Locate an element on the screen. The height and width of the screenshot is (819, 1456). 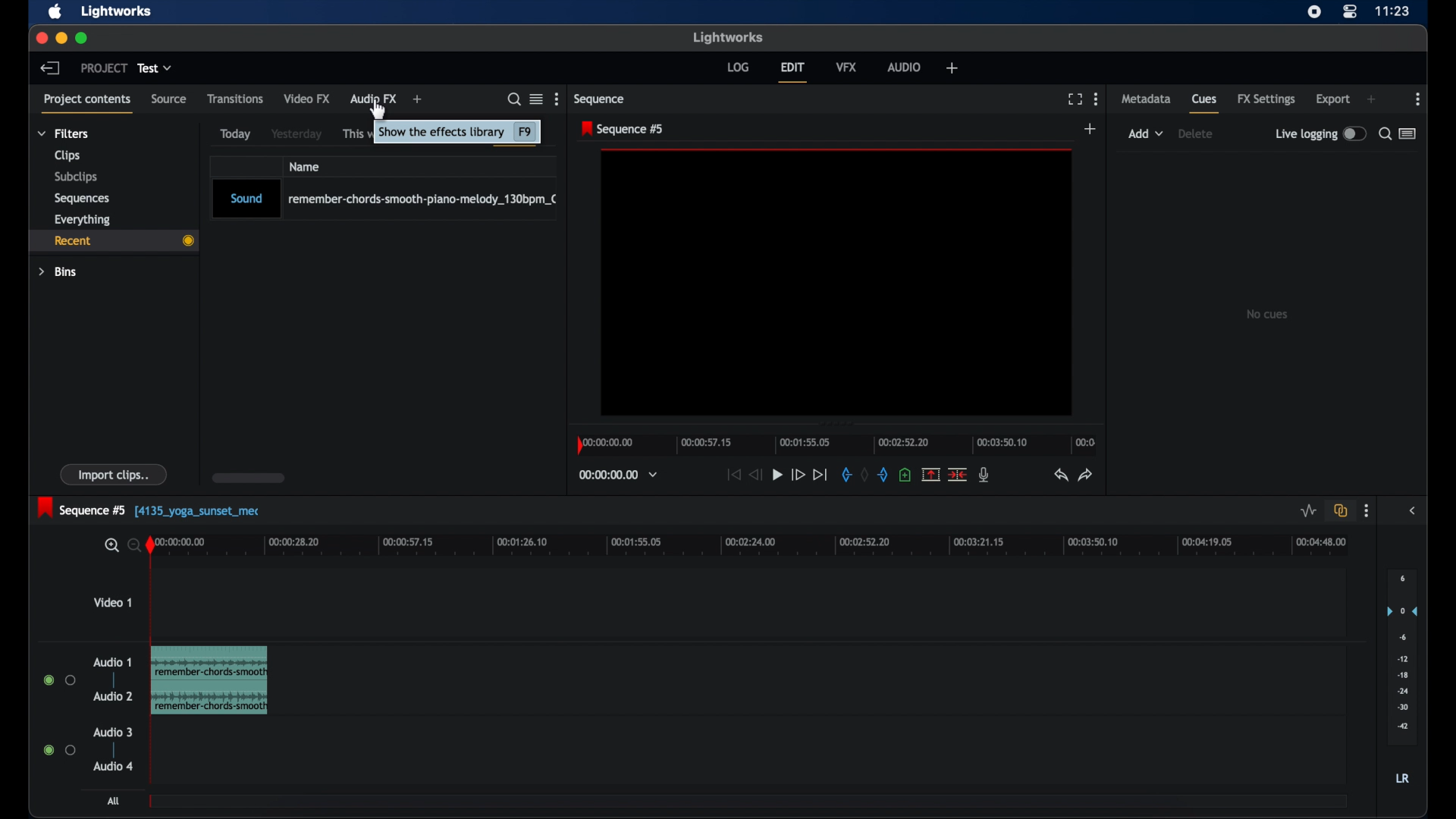
video 1 is located at coordinates (112, 602).